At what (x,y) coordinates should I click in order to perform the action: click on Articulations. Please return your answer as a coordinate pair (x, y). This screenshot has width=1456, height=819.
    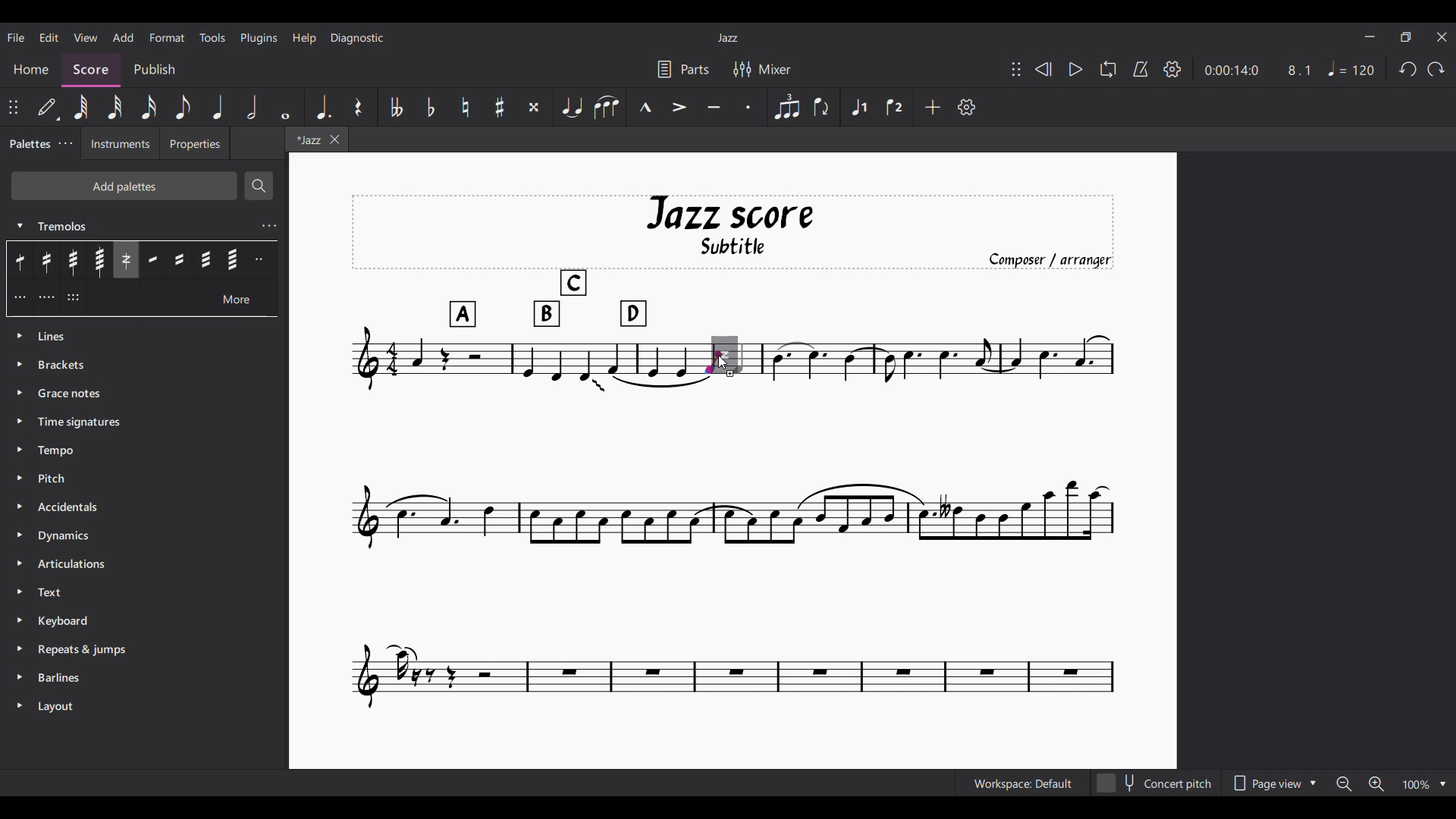
    Looking at the image, I should click on (143, 564).